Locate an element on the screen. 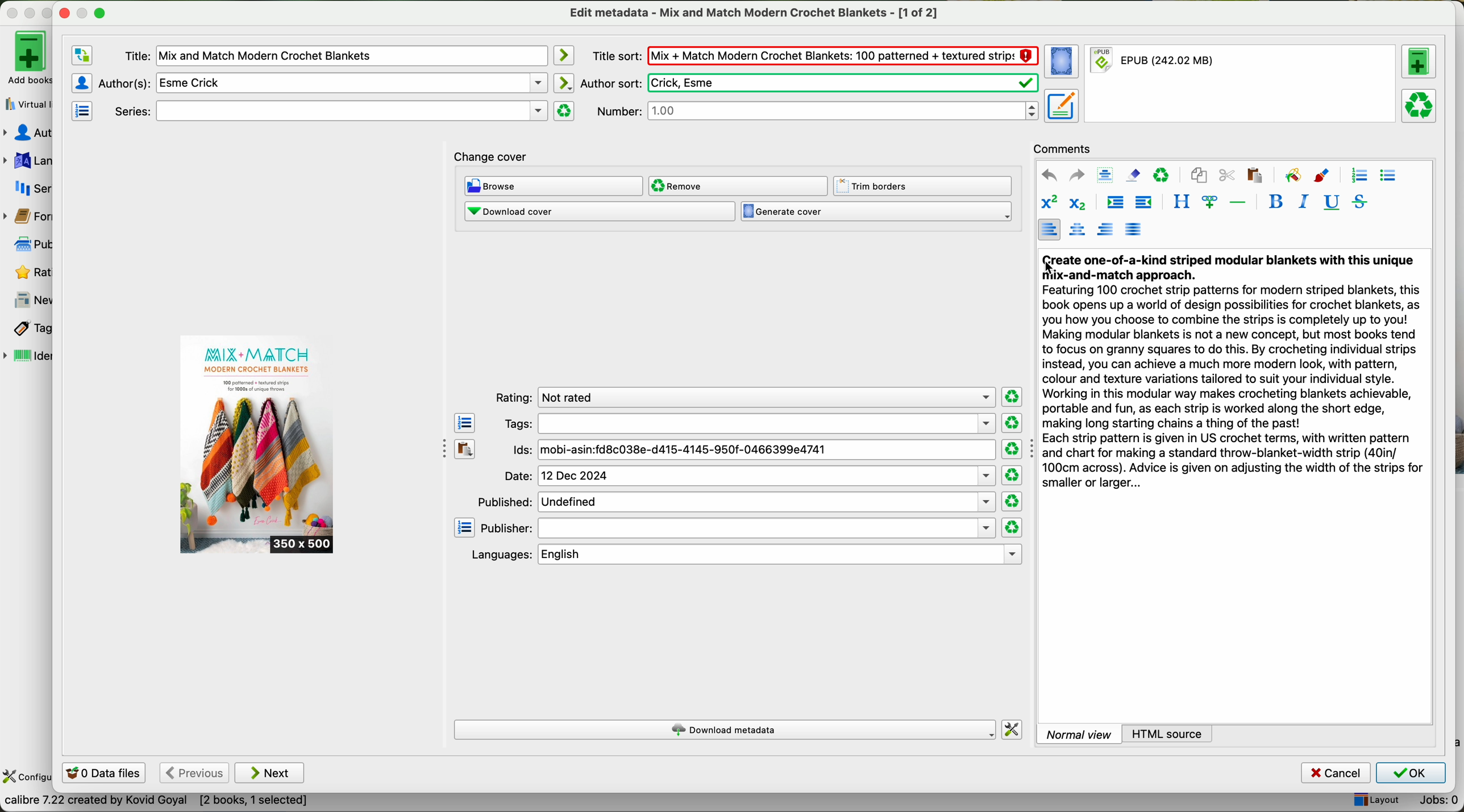 The image size is (1464, 812). languages is located at coordinates (27, 161).